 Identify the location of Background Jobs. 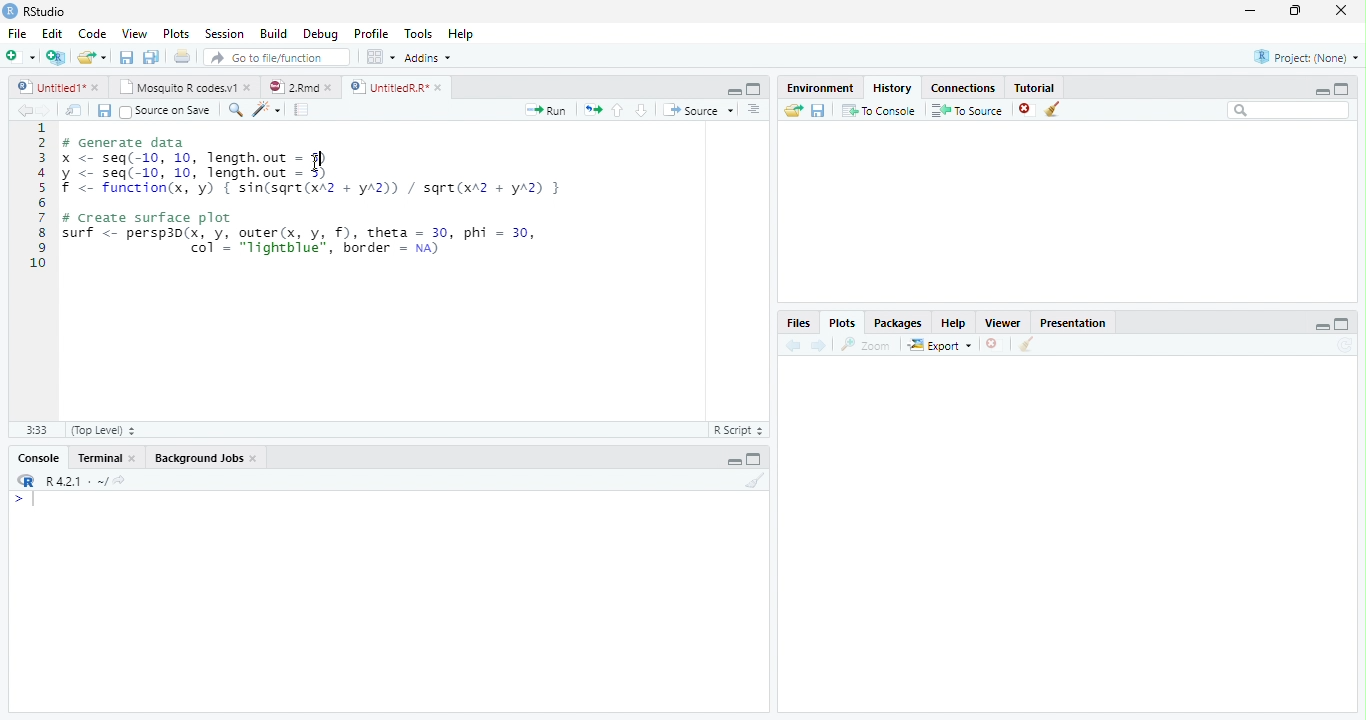
(199, 458).